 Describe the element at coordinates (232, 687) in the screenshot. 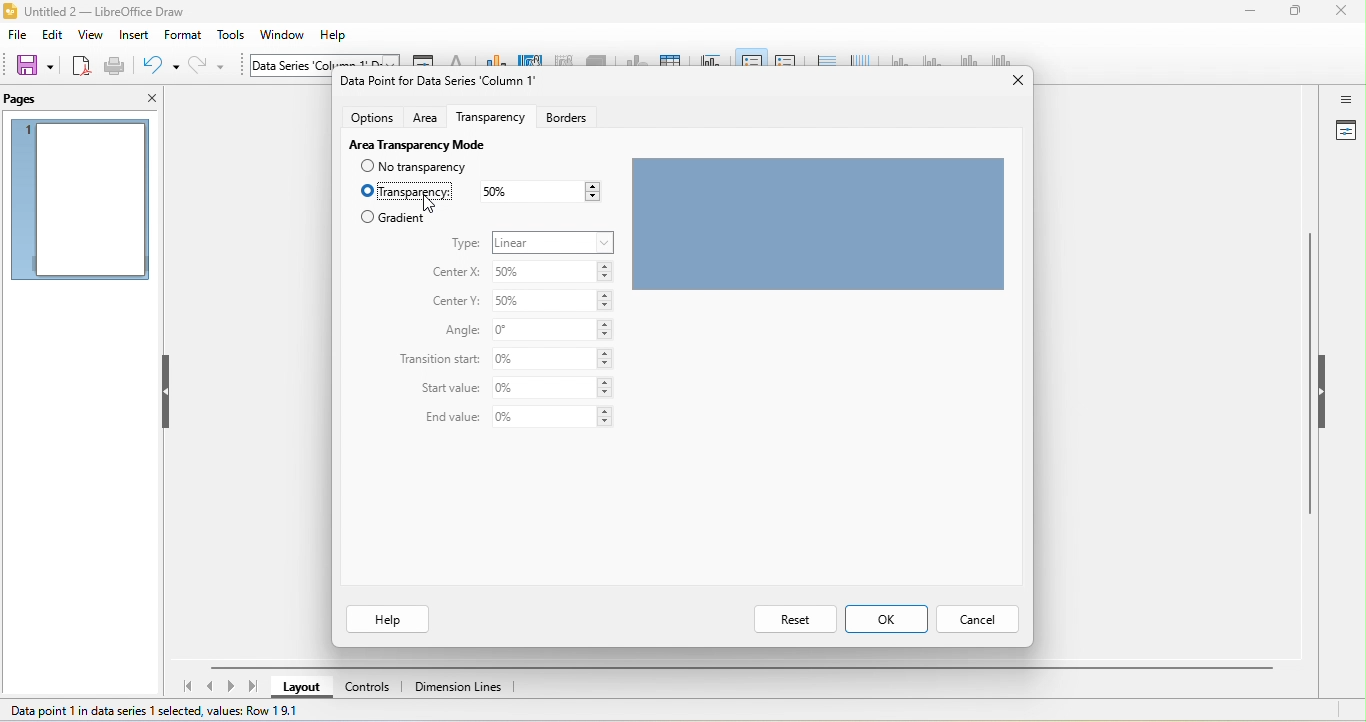

I see `next` at that location.